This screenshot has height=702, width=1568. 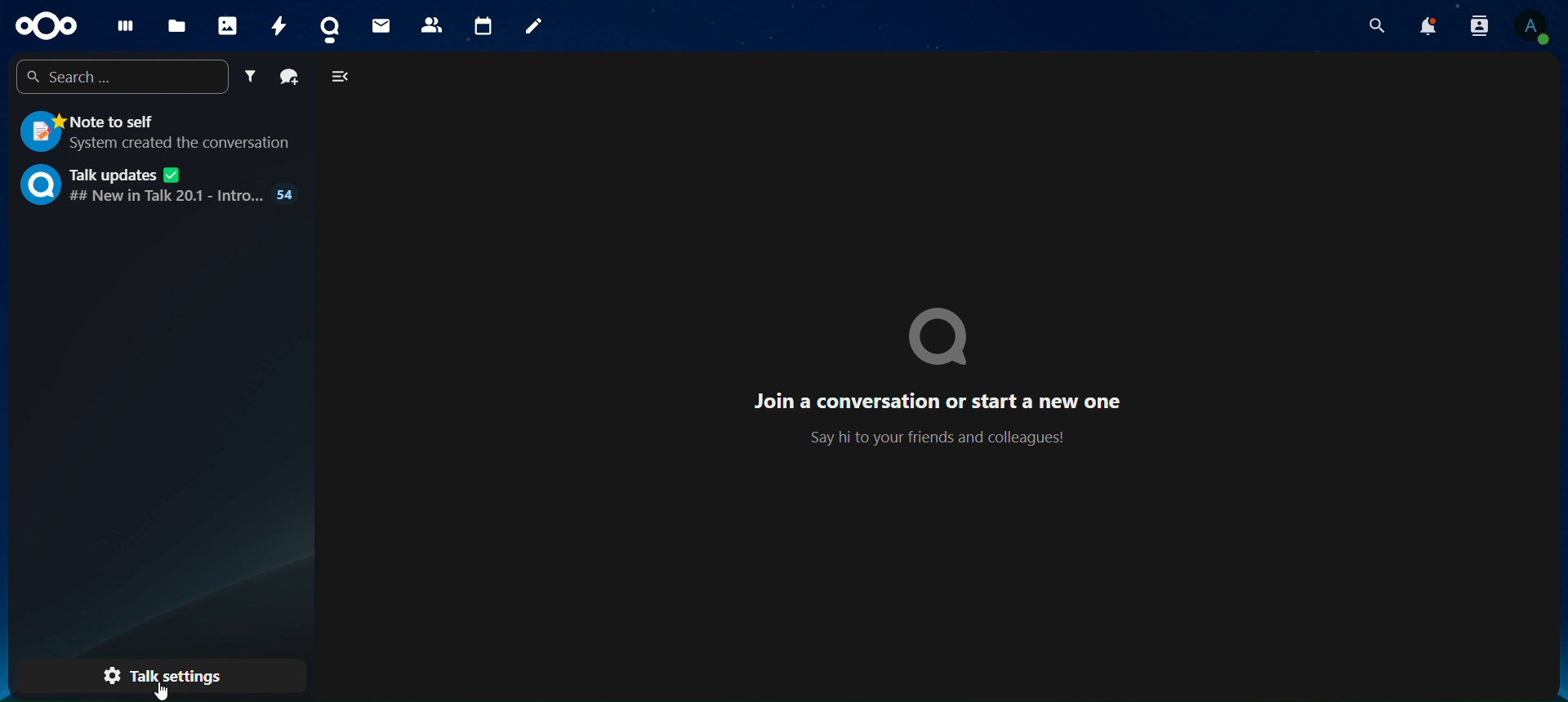 I want to click on text, so click(x=944, y=419).